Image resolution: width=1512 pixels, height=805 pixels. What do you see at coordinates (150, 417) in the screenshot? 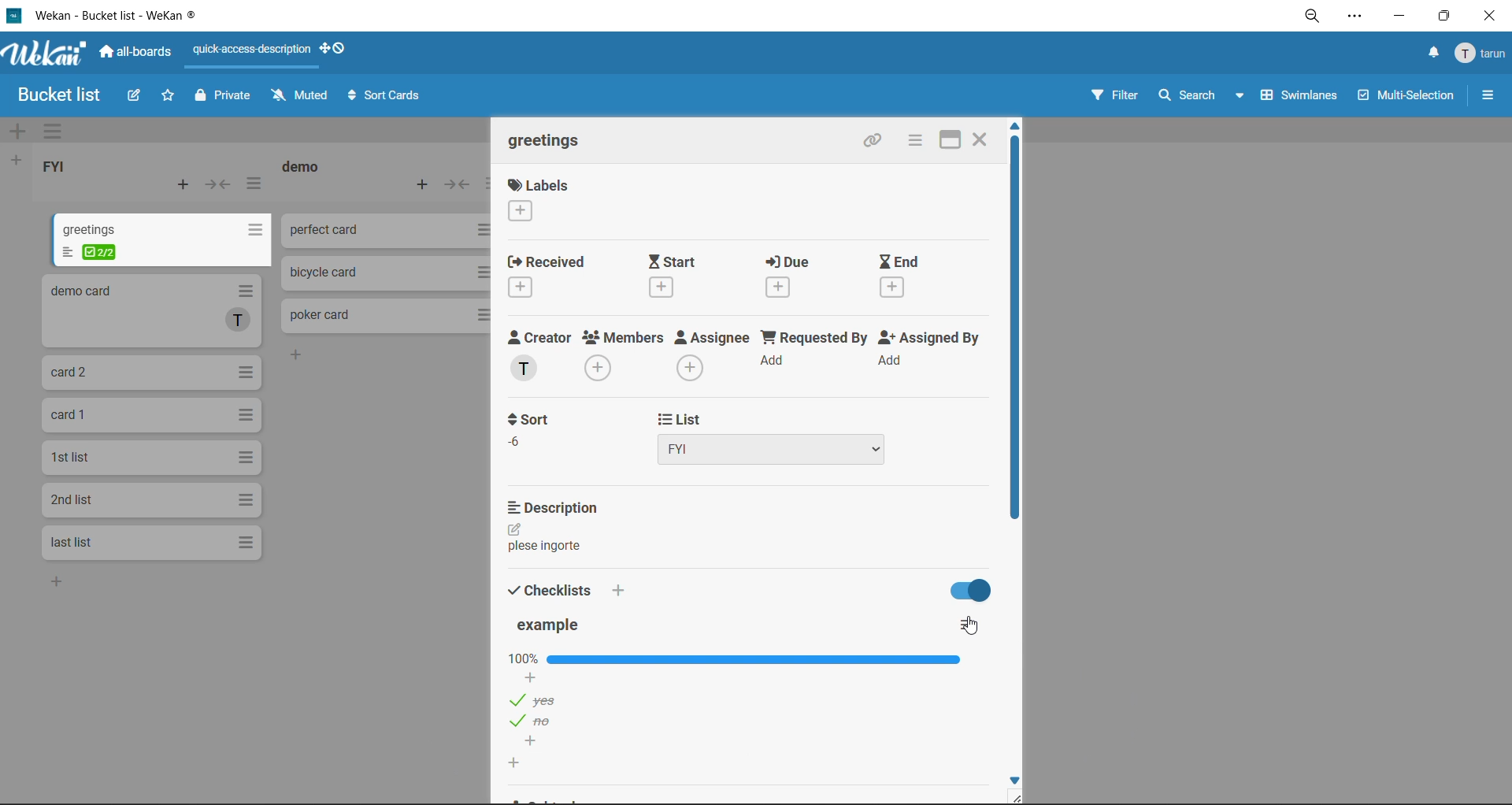
I see `cards` at bounding box center [150, 417].